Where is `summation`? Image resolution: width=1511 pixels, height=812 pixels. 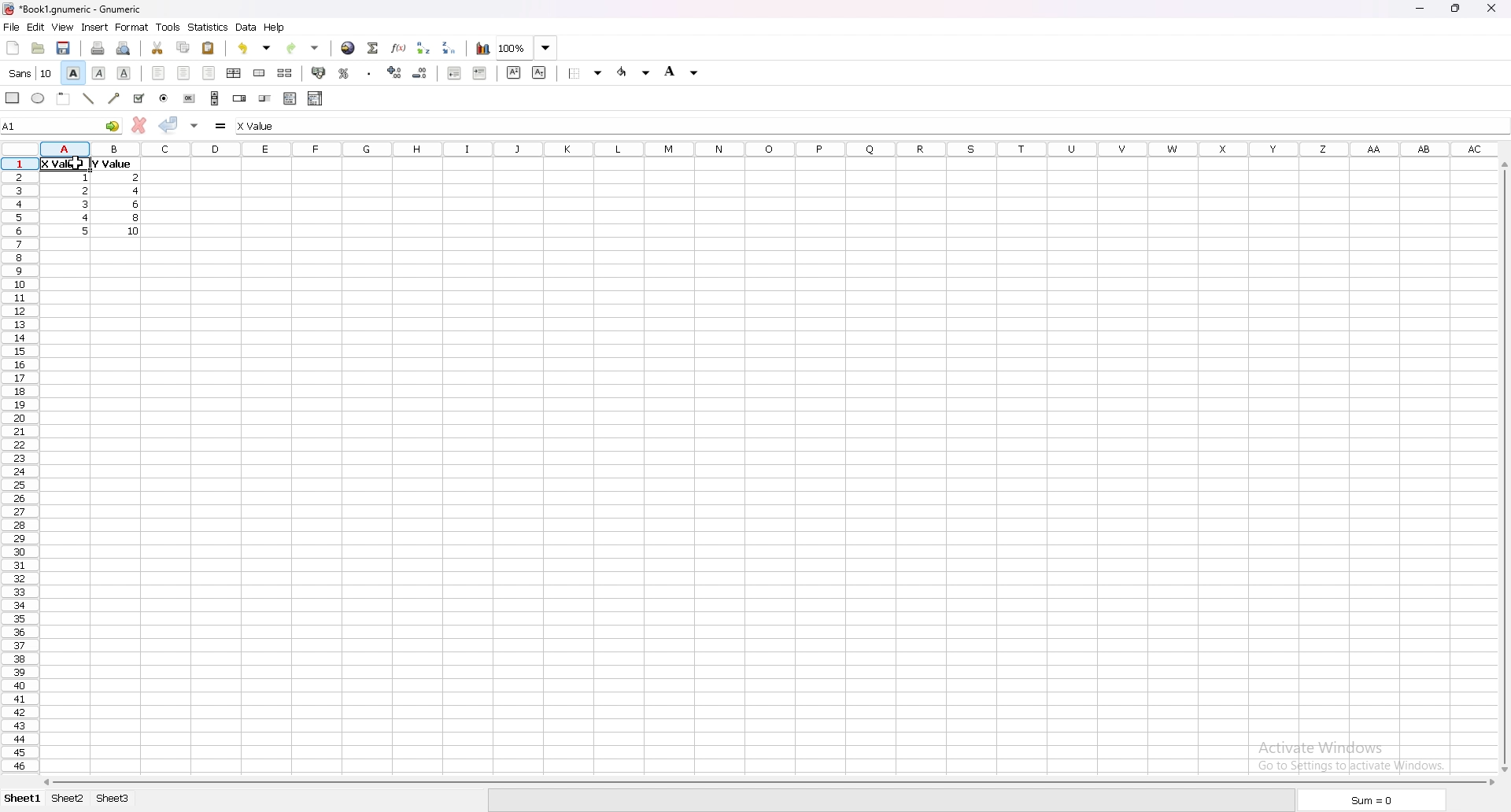 summation is located at coordinates (372, 47).